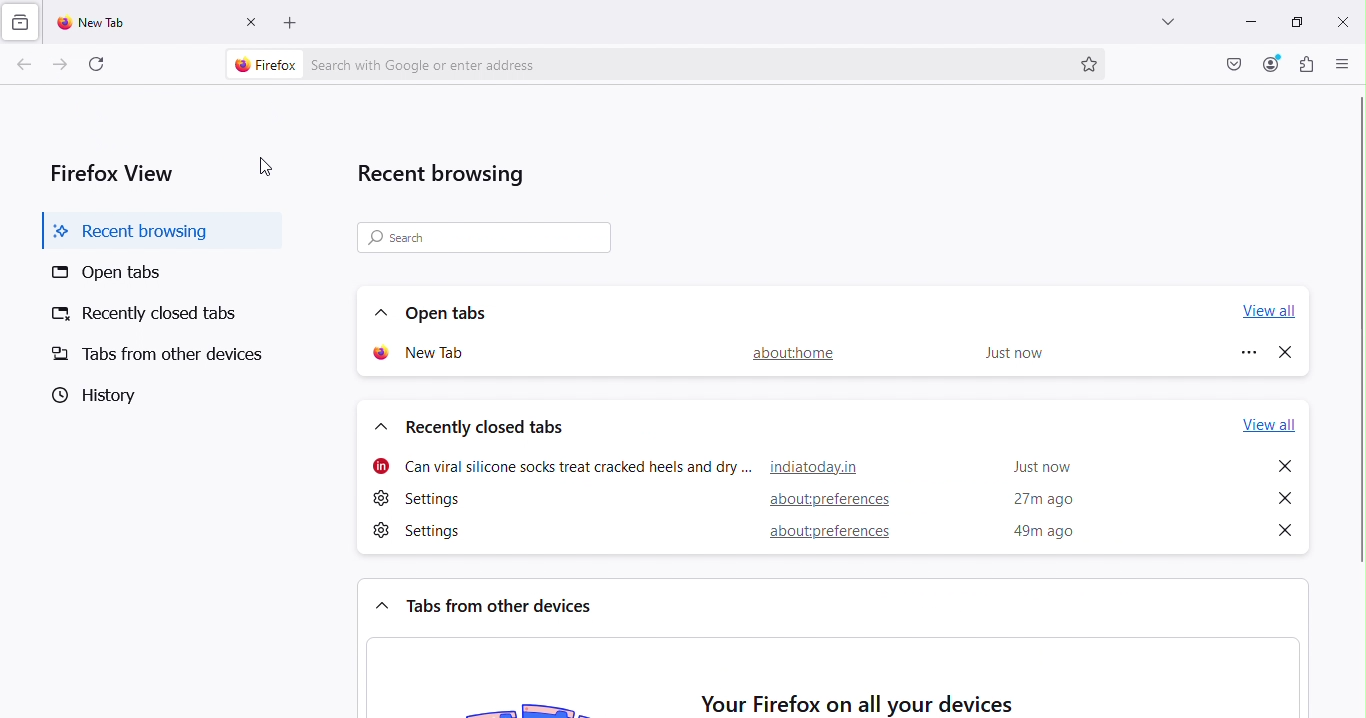 Image resolution: width=1366 pixels, height=718 pixels. I want to click on time, so click(1036, 468).